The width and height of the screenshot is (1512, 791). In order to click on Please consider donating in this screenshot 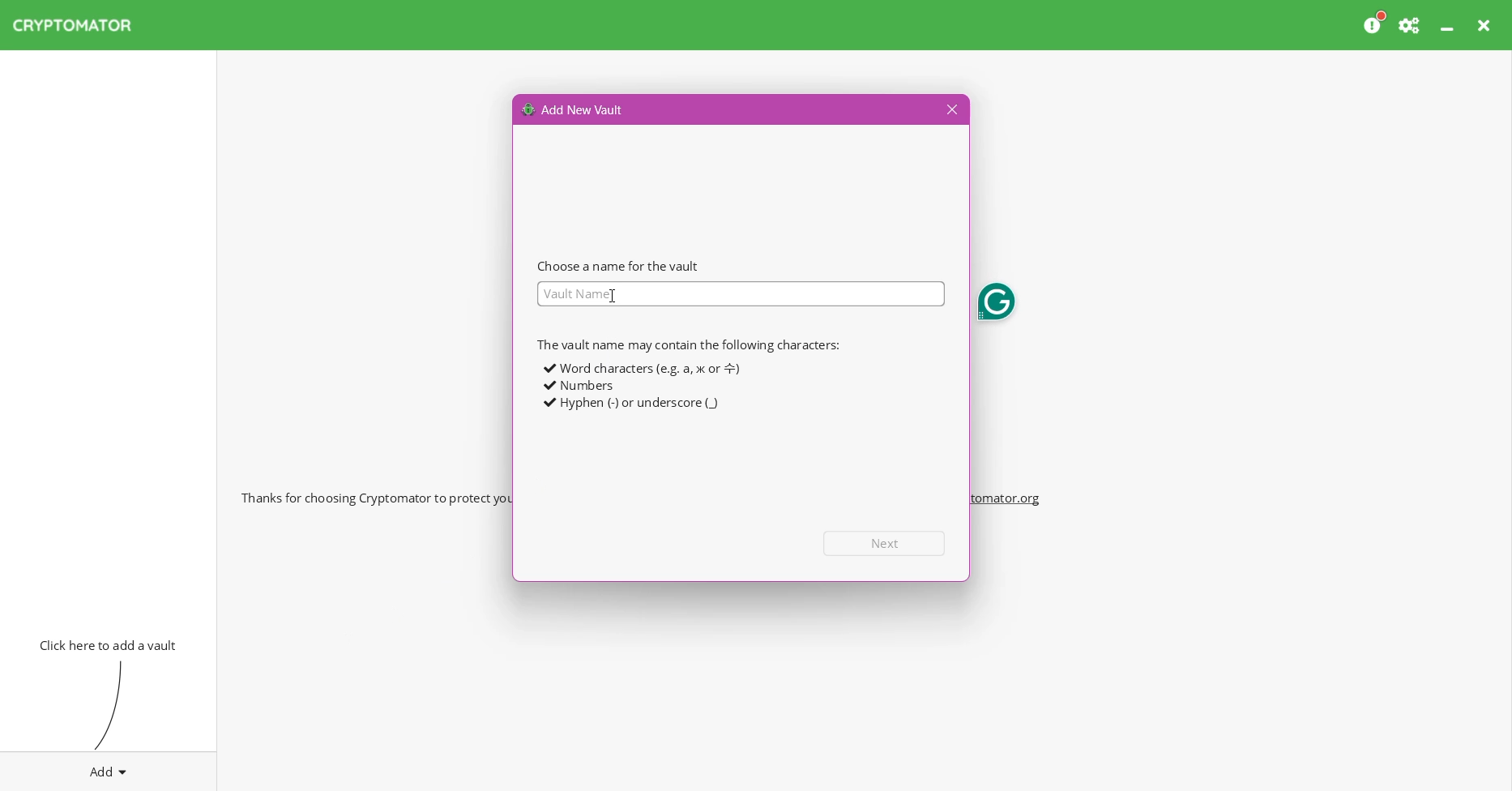, I will do `click(1375, 24)`.